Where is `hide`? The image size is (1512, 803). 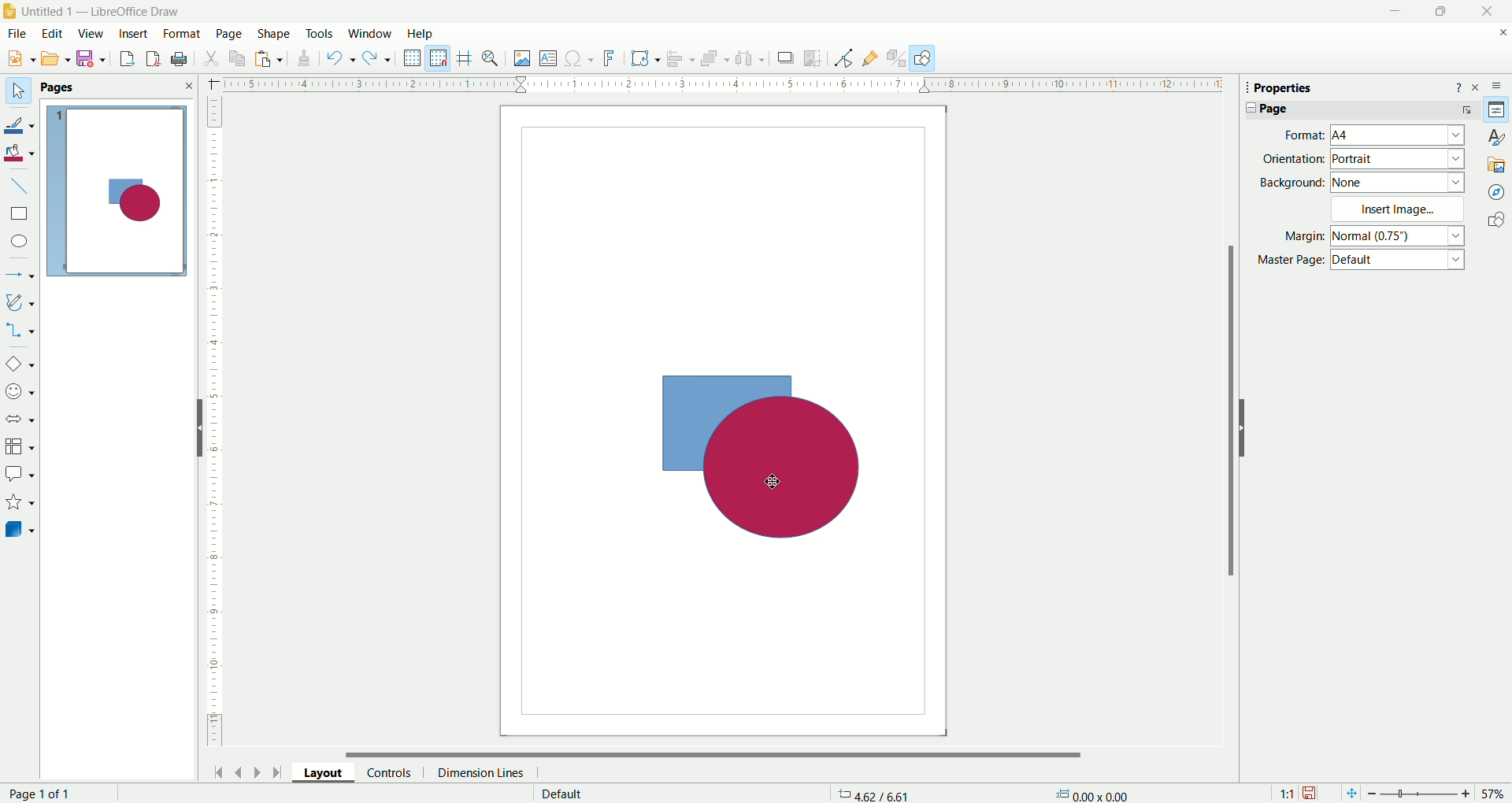
hide is located at coordinates (198, 429).